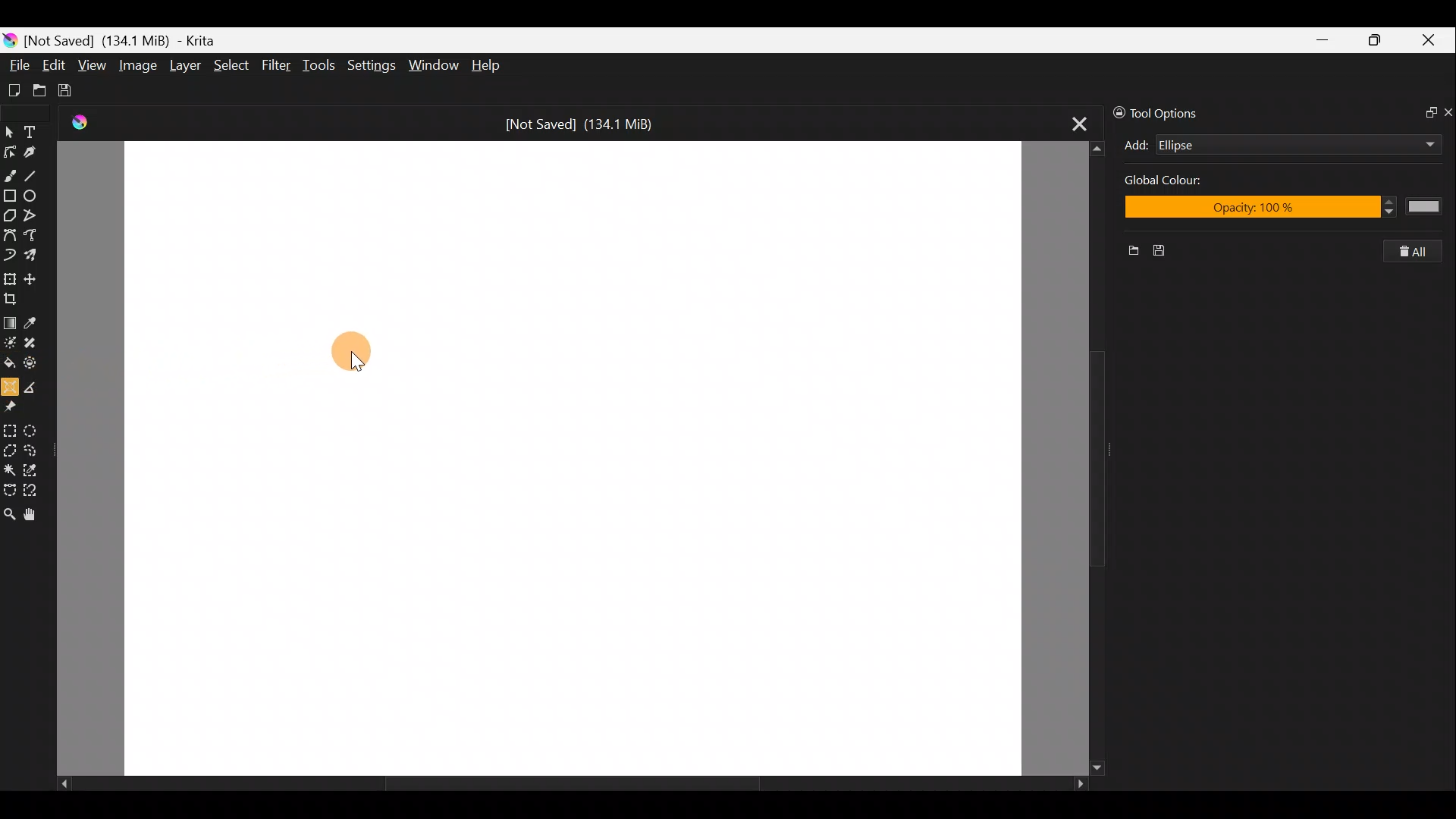 Image resolution: width=1456 pixels, height=819 pixels. What do you see at coordinates (10, 343) in the screenshot?
I see `Colorize mask tool` at bounding box center [10, 343].